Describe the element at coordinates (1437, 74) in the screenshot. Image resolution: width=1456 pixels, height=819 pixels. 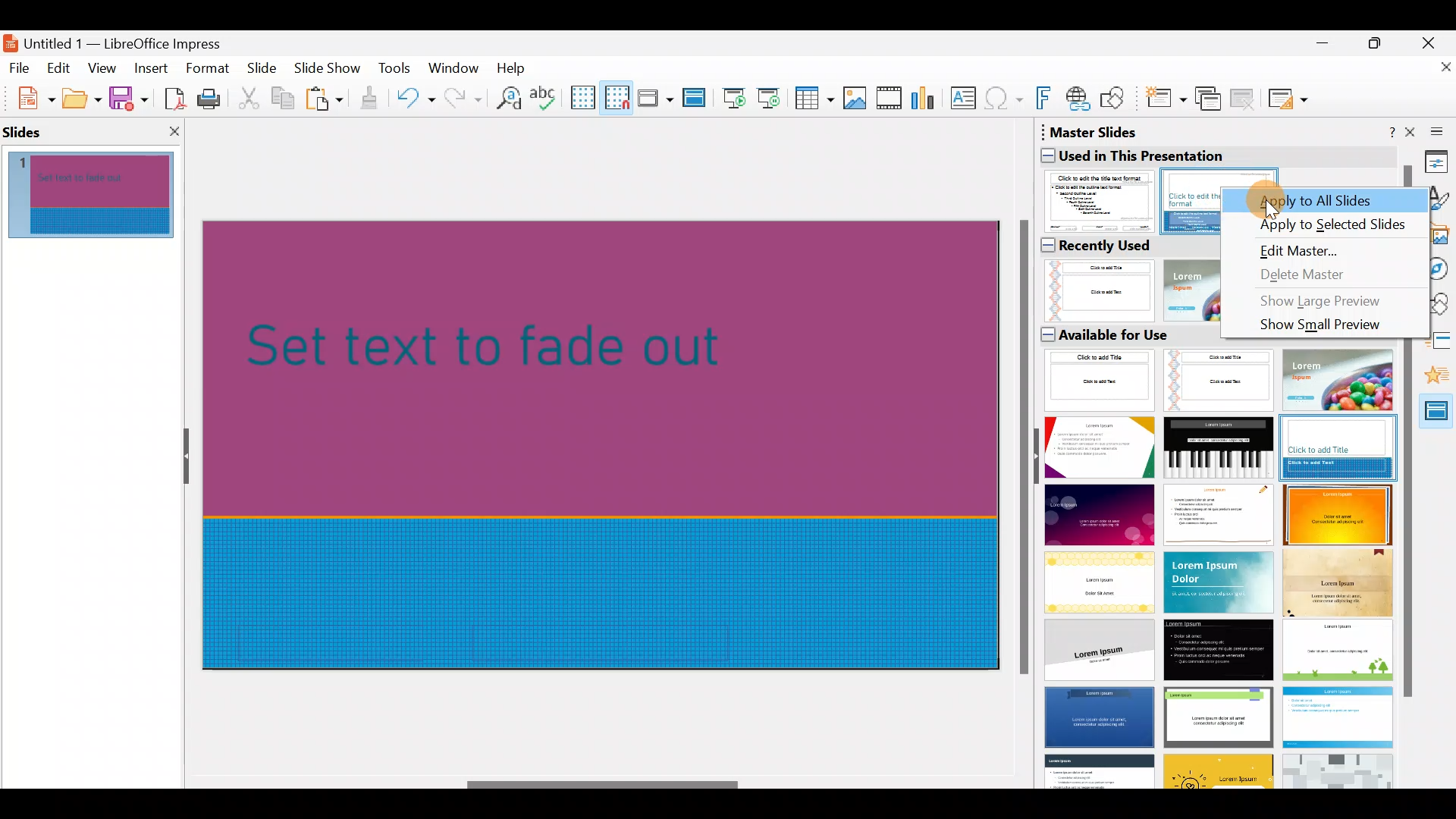
I see `Close document` at that location.